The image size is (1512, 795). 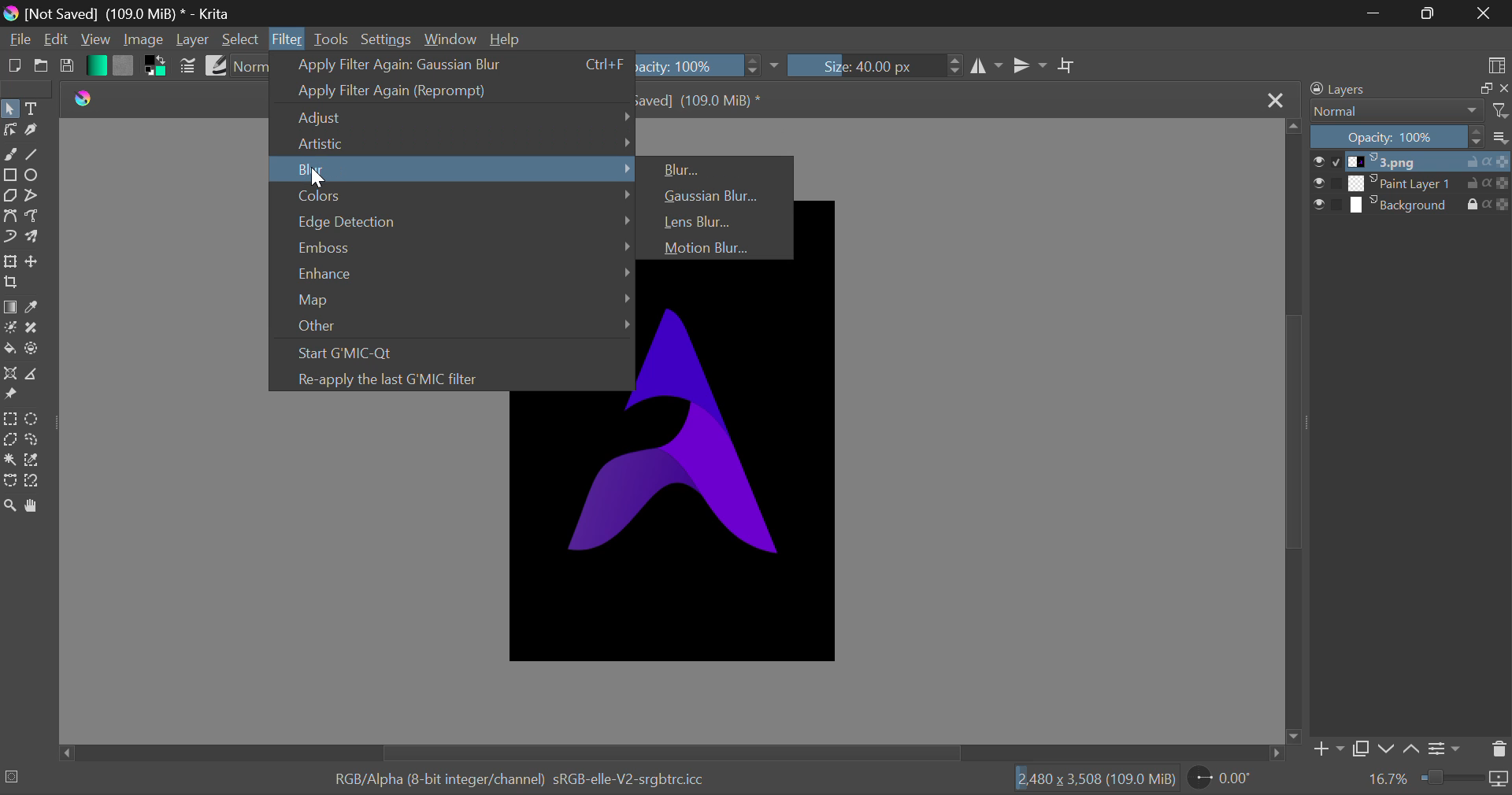 What do you see at coordinates (35, 307) in the screenshot?
I see `Eyedropper` at bounding box center [35, 307].